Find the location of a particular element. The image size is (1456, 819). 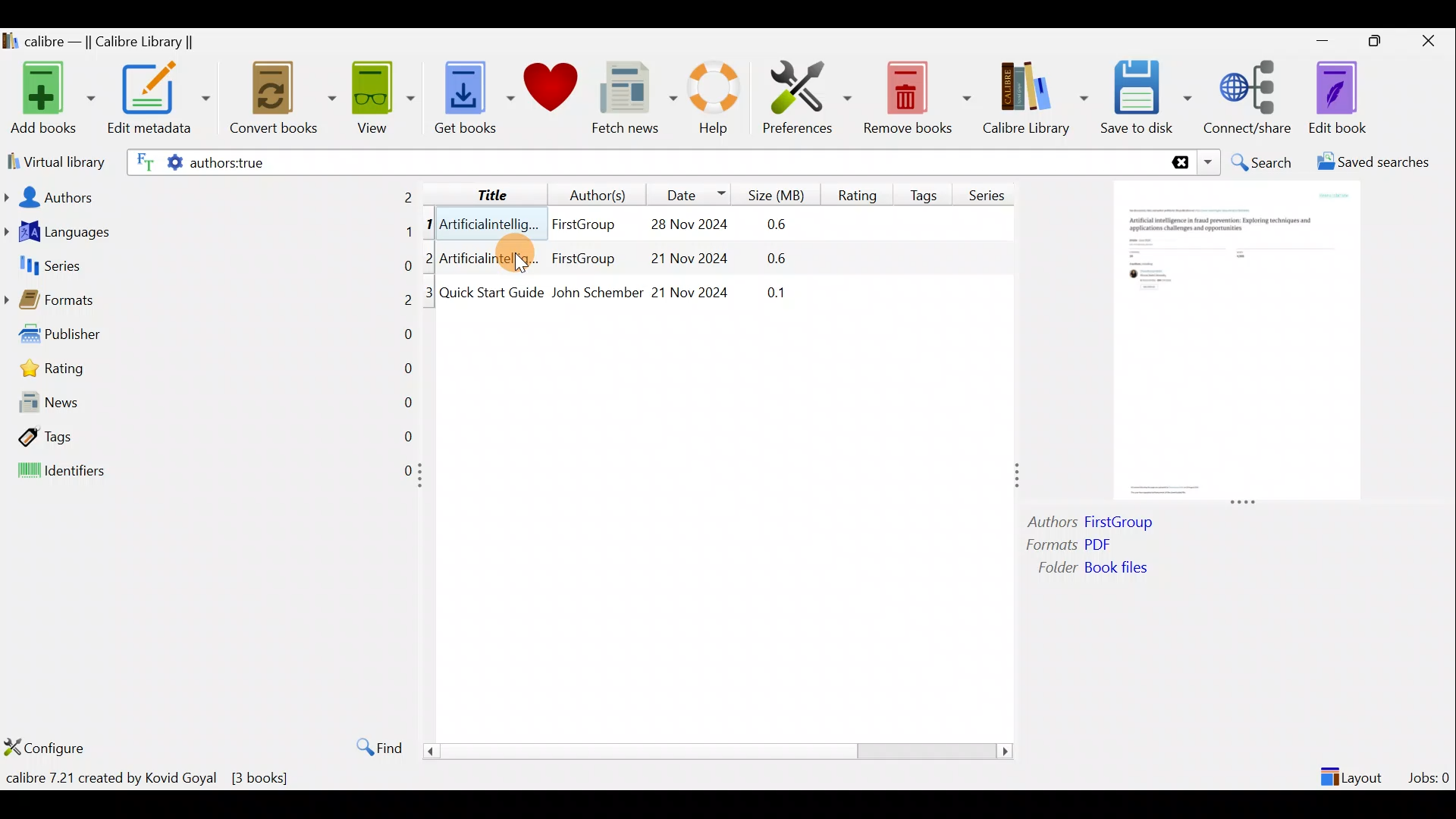

Jobs: 0 is located at coordinates (1430, 773).